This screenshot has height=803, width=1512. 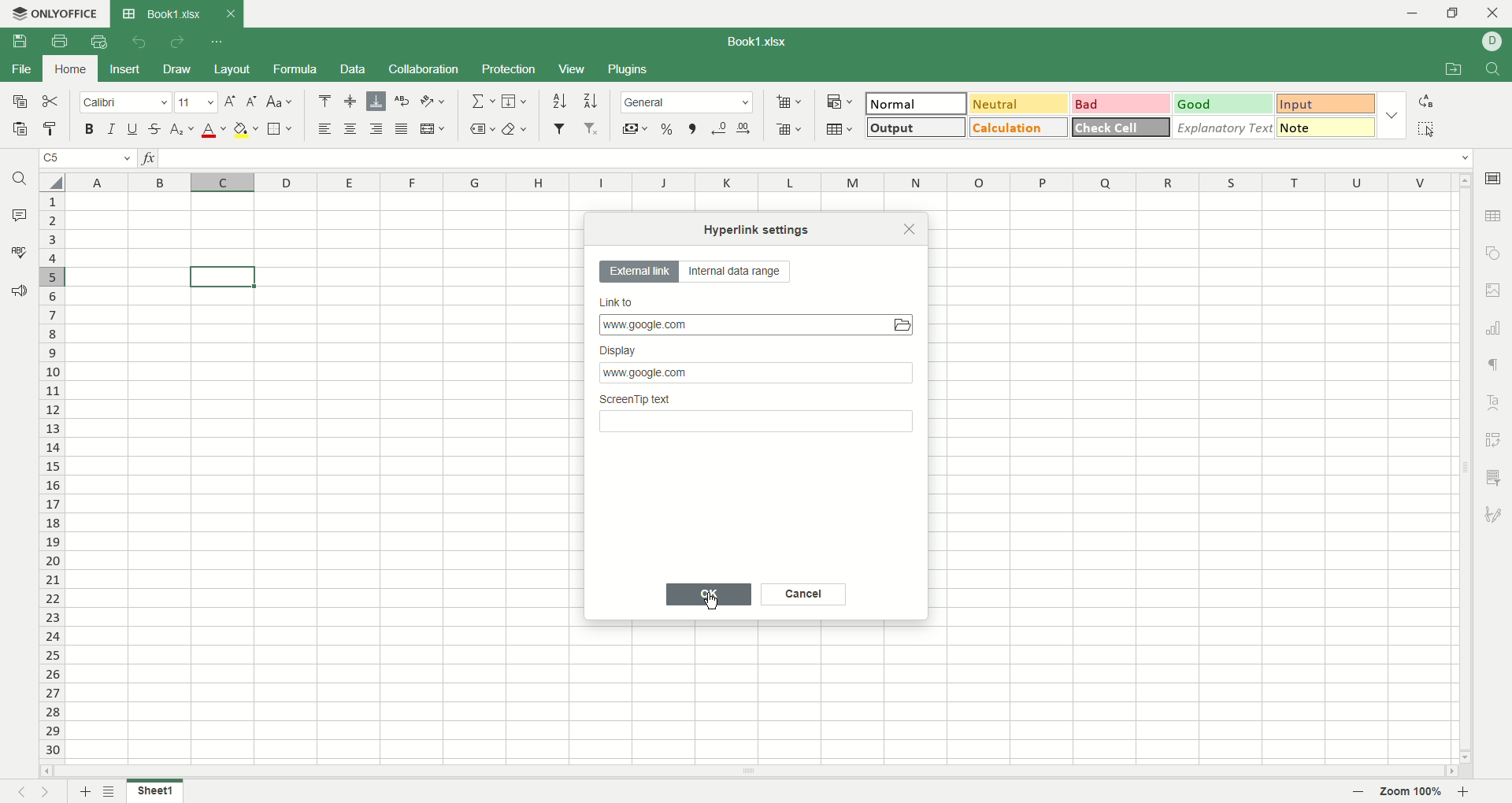 I want to click on previous sheet, so click(x=15, y=794).